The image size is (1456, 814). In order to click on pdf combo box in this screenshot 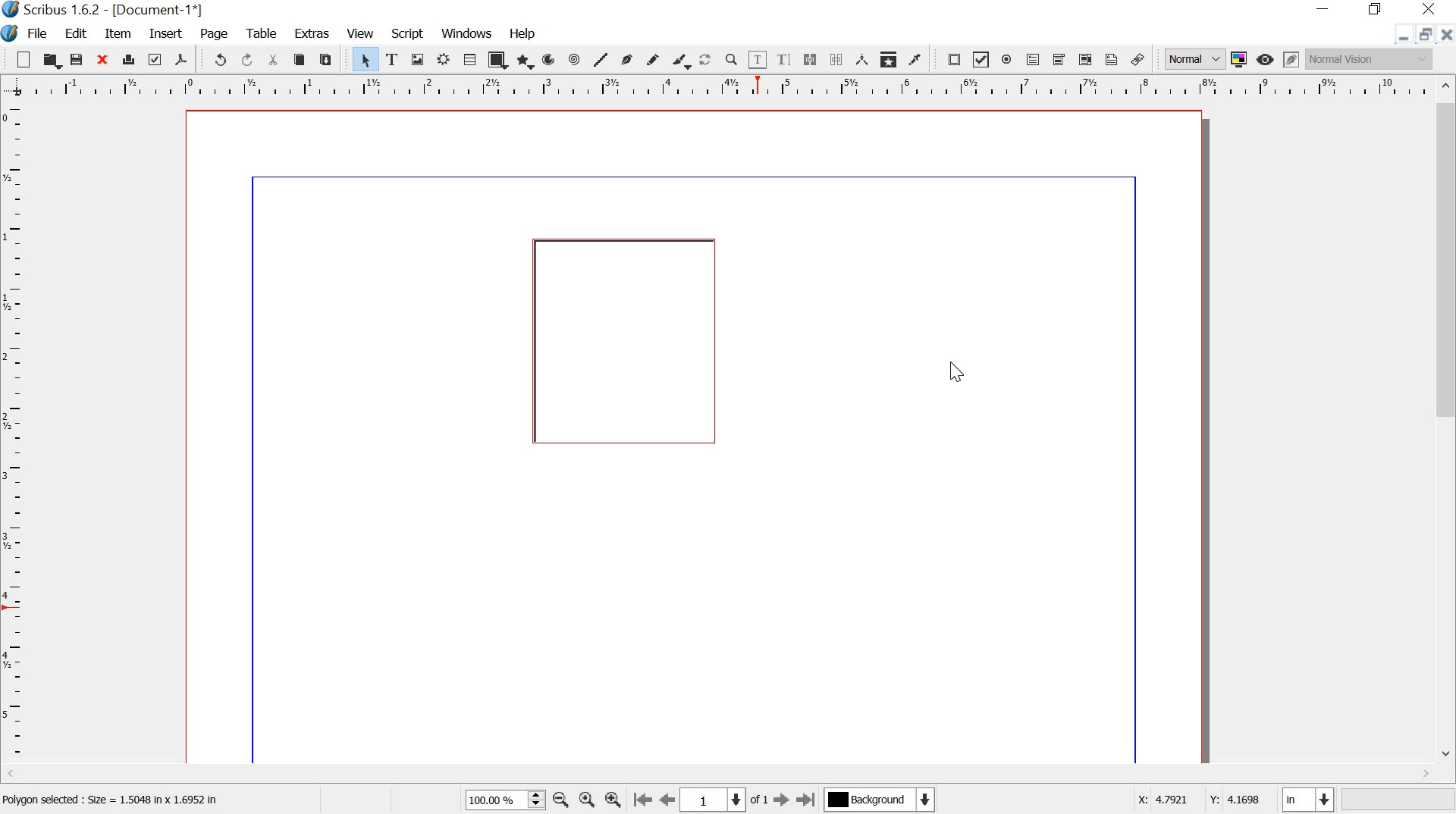, I will do `click(1060, 61)`.